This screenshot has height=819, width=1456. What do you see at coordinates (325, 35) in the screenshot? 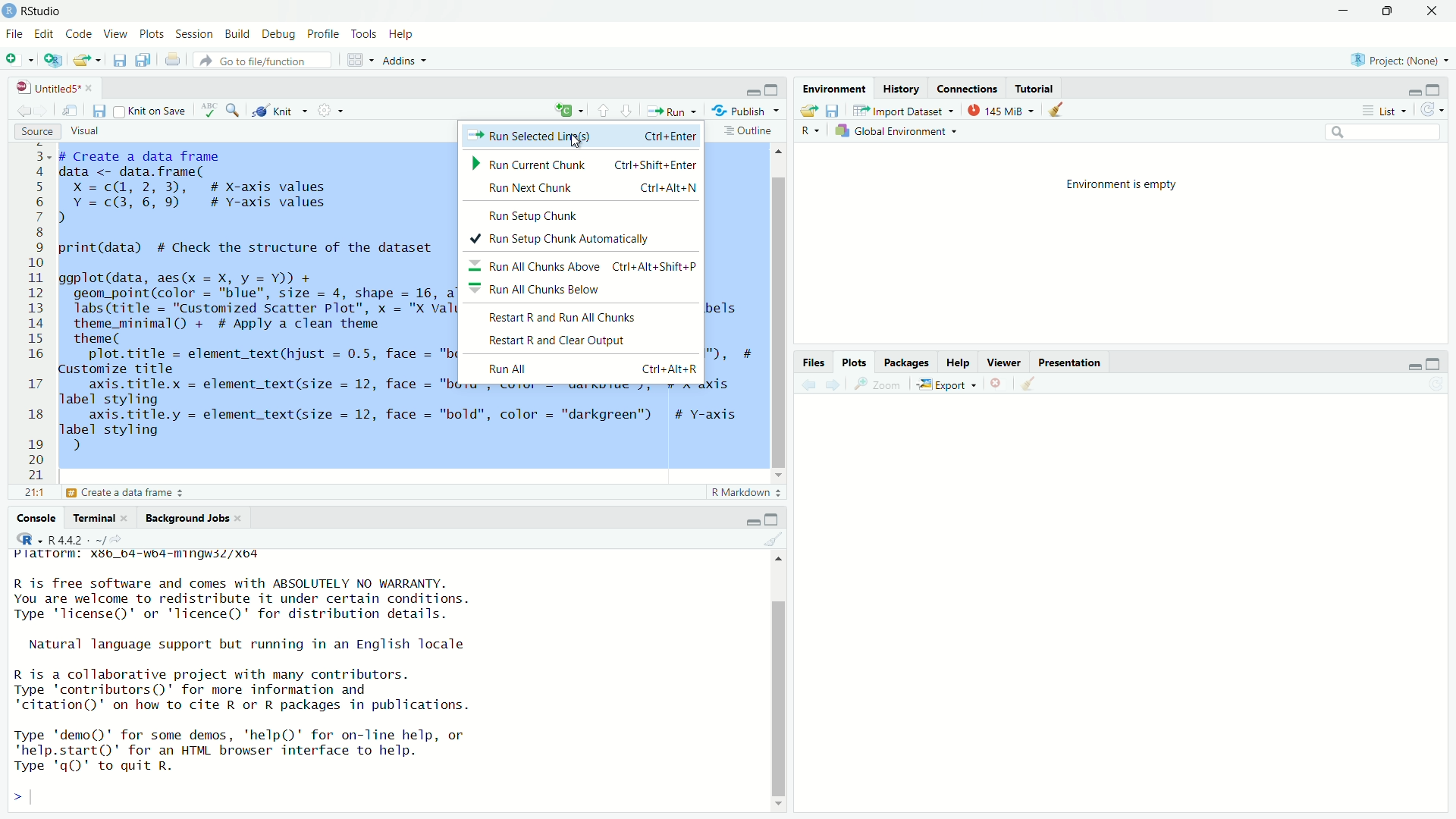
I see `Profile` at bounding box center [325, 35].